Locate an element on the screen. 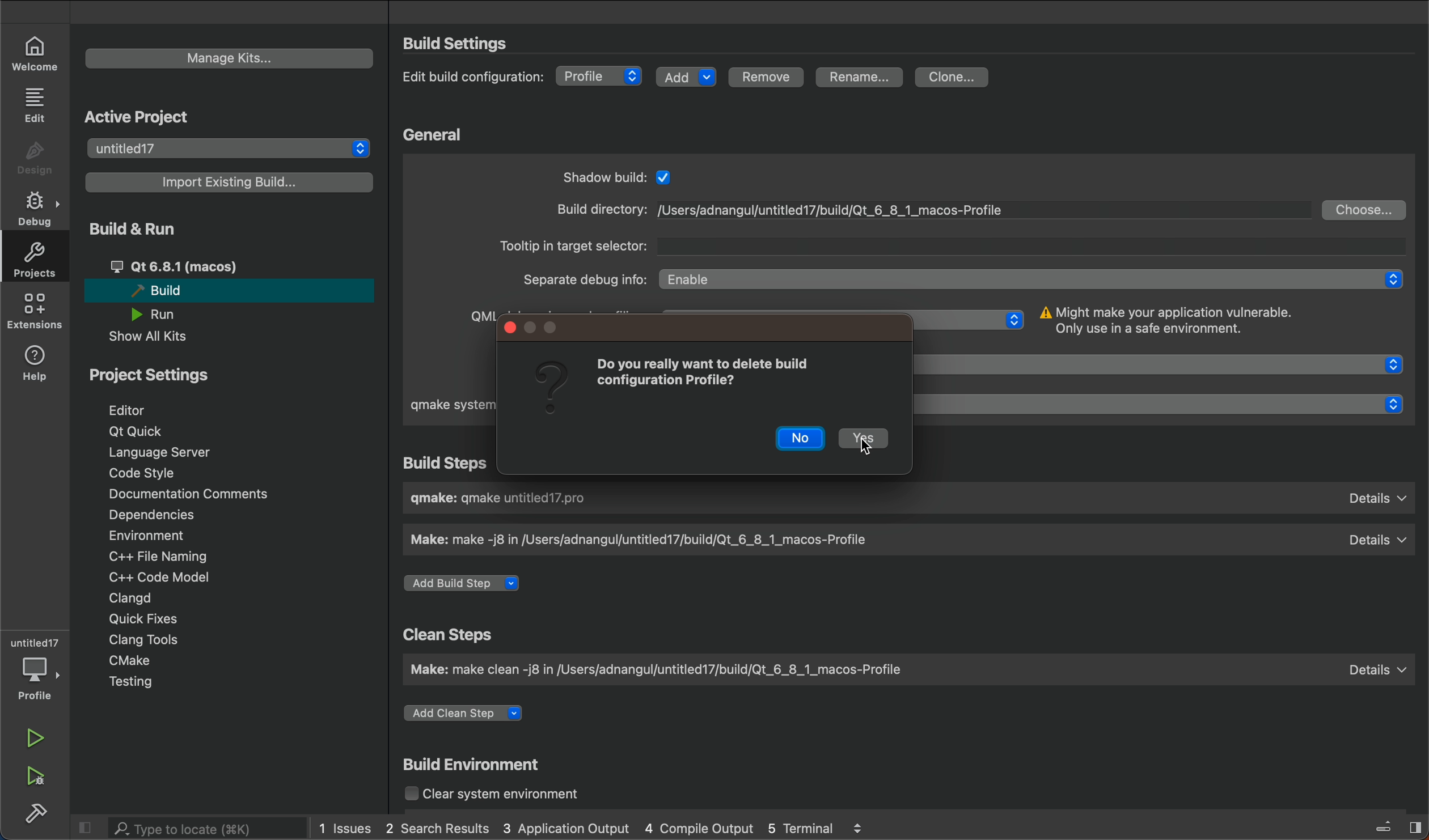  add a build step is located at coordinates (467, 583).